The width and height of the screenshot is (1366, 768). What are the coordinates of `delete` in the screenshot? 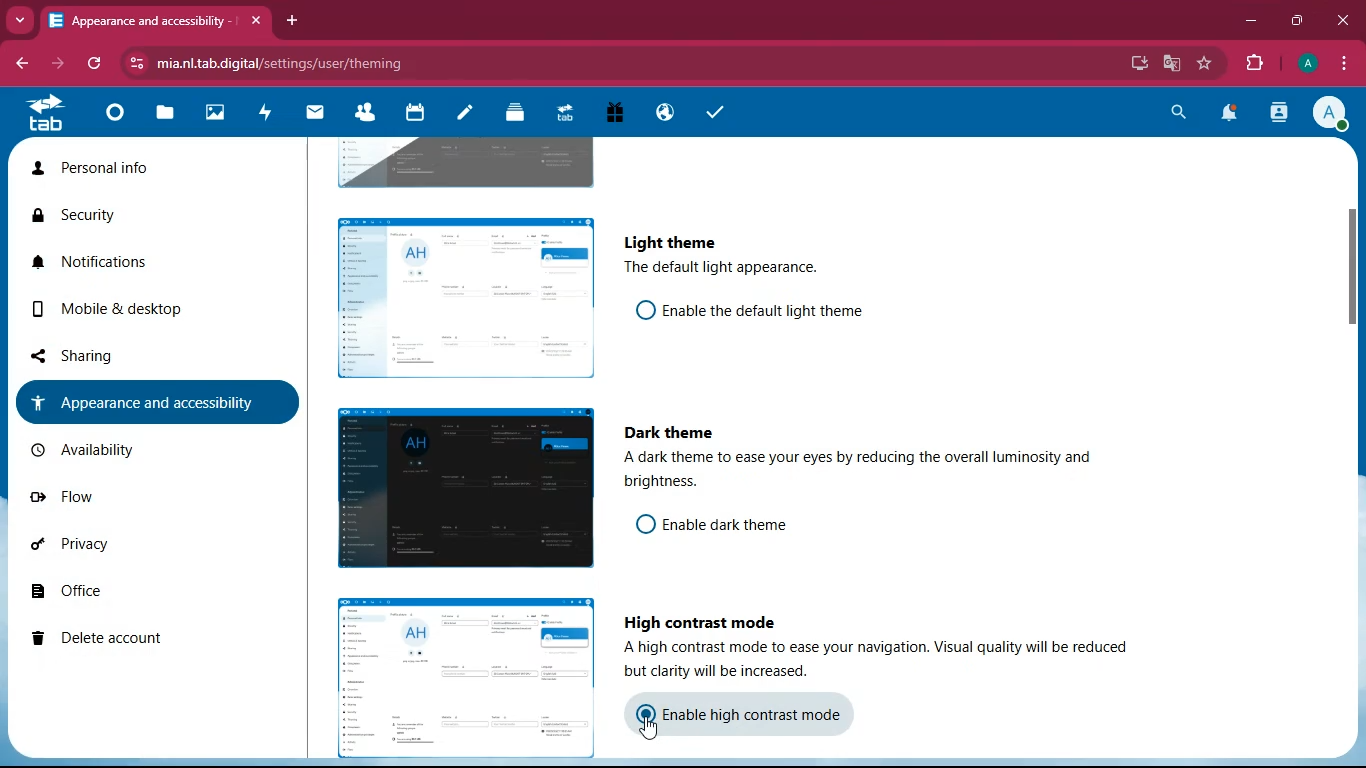 It's located at (123, 639).